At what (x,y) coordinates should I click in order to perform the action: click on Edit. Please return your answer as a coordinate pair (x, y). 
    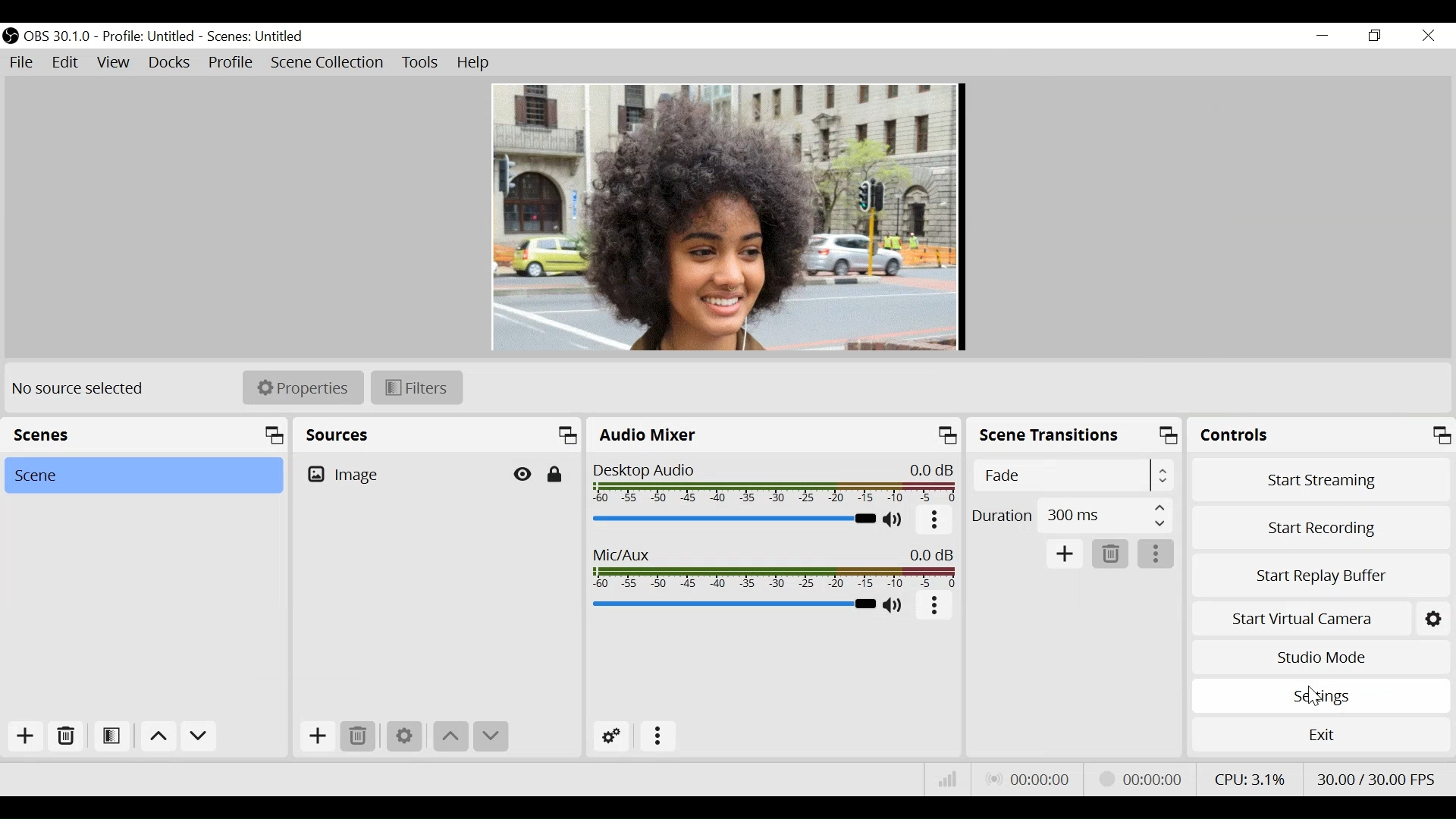
    Looking at the image, I should click on (66, 63).